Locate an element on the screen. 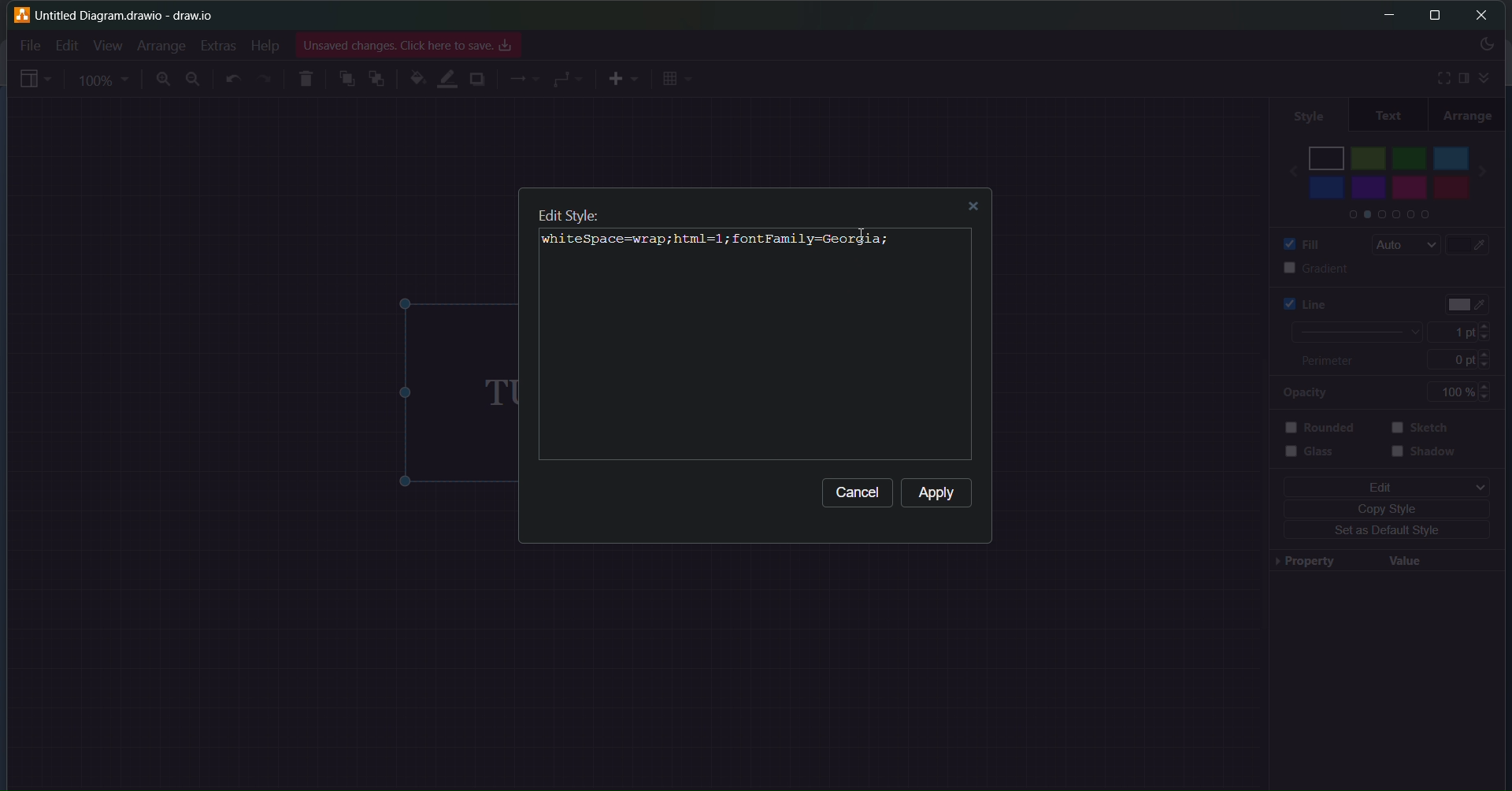  fullscreen is located at coordinates (1437, 77).